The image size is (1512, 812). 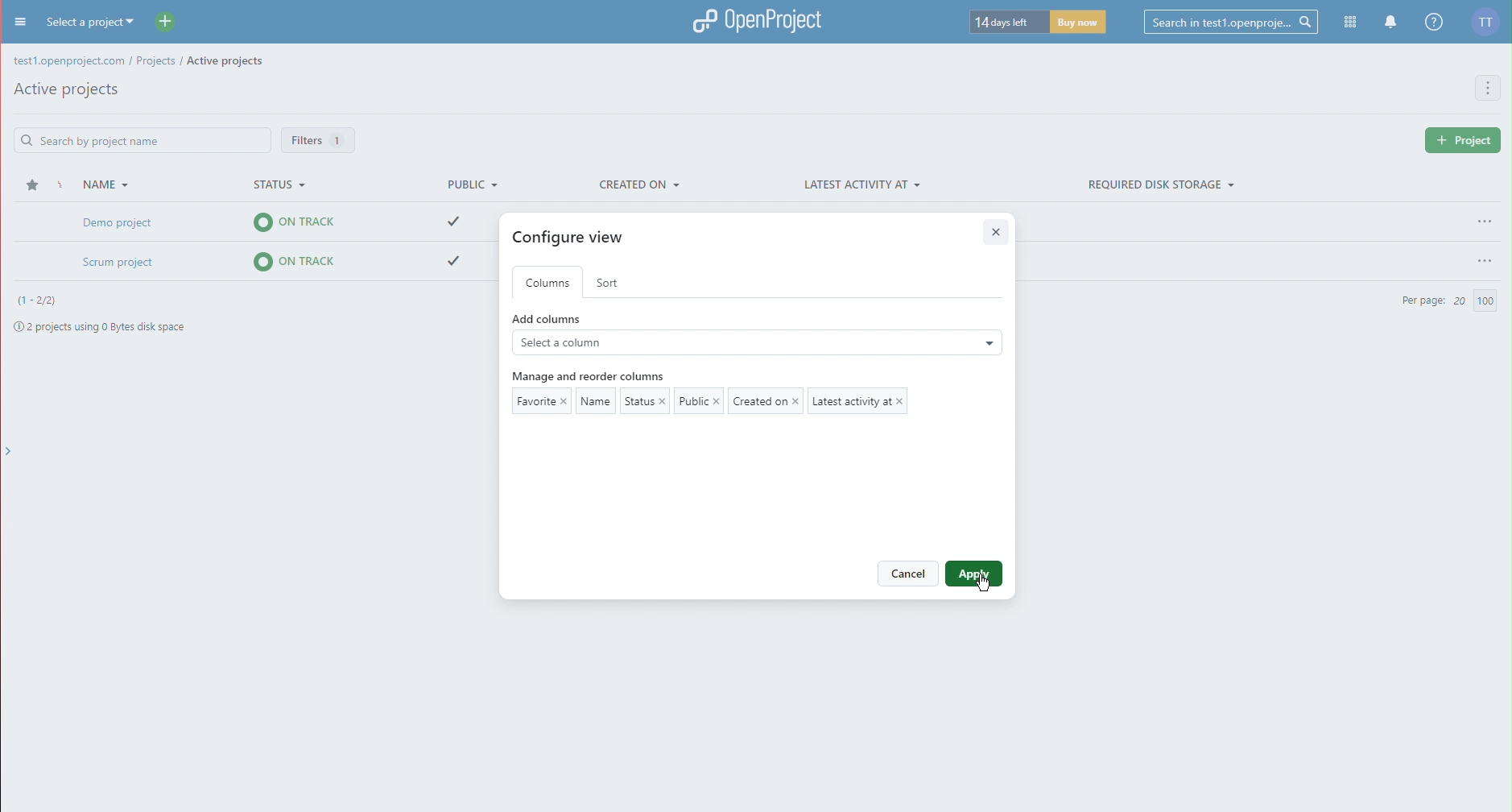 What do you see at coordinates (140, 138) in the screenshot?
I see `Search Bar` at bounding box center [140, 138].